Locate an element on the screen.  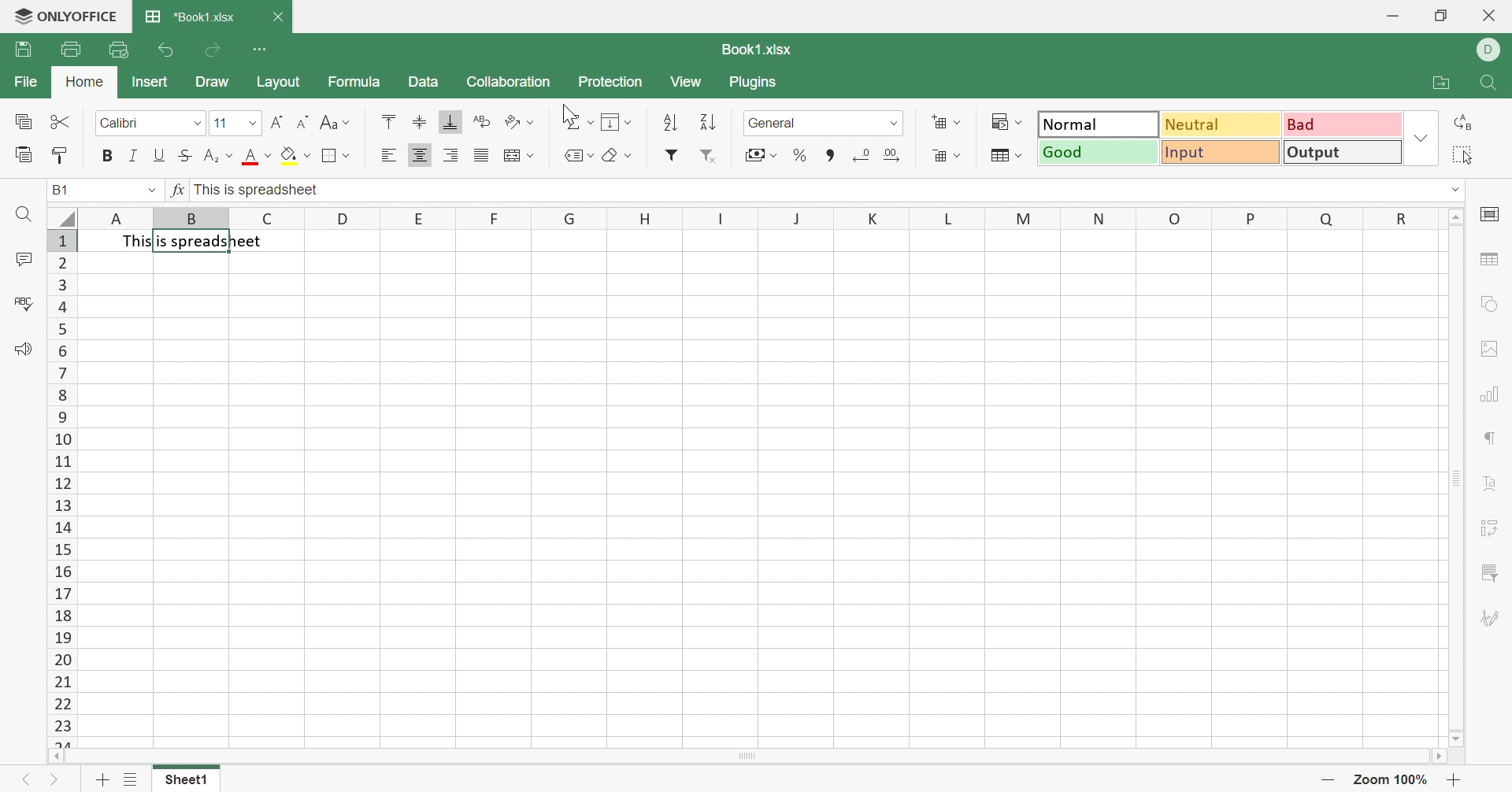
Zoom In is located at coordinates (1454, 779).